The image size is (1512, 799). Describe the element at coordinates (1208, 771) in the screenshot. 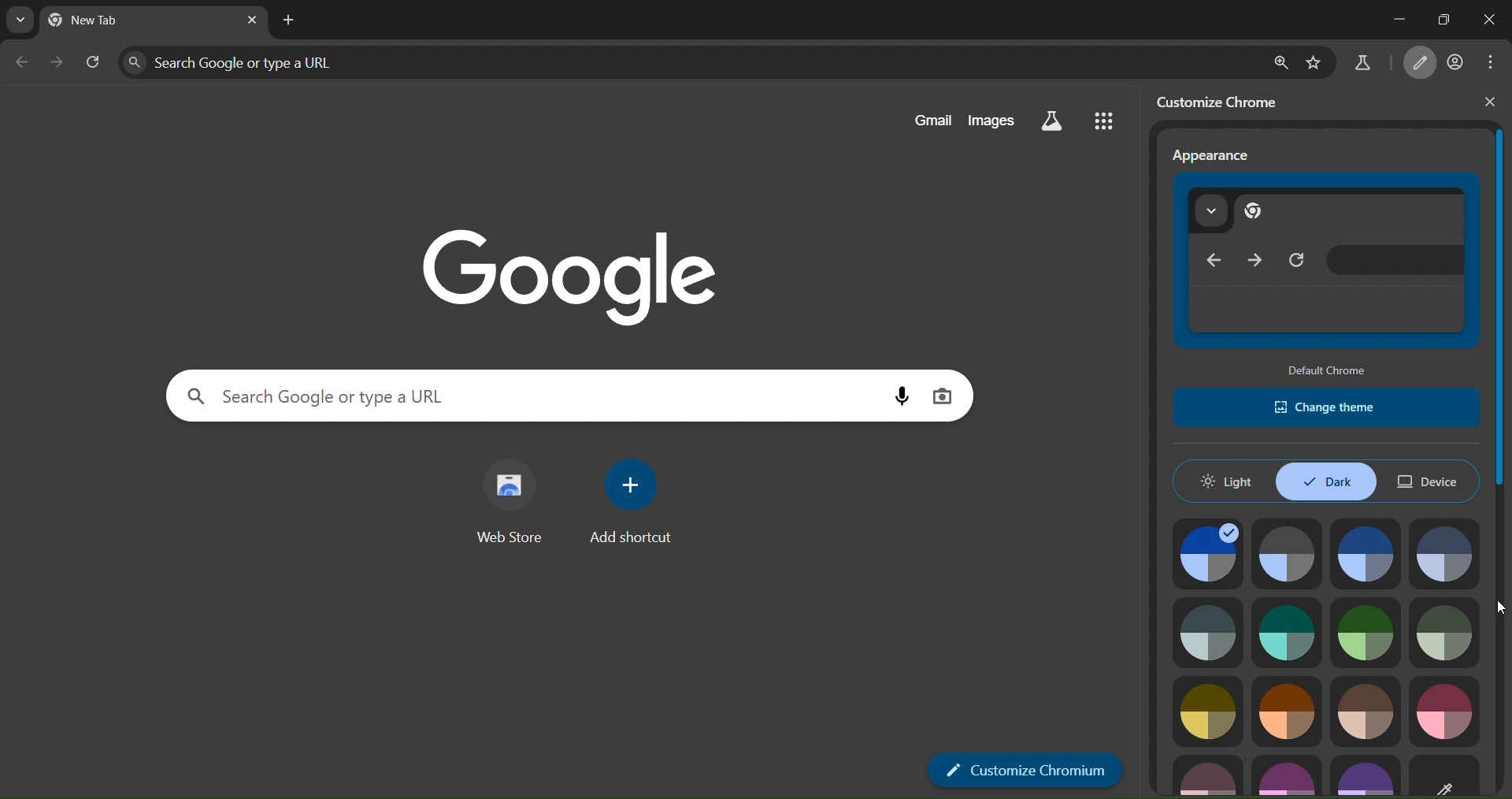

I see `theme` at that location.